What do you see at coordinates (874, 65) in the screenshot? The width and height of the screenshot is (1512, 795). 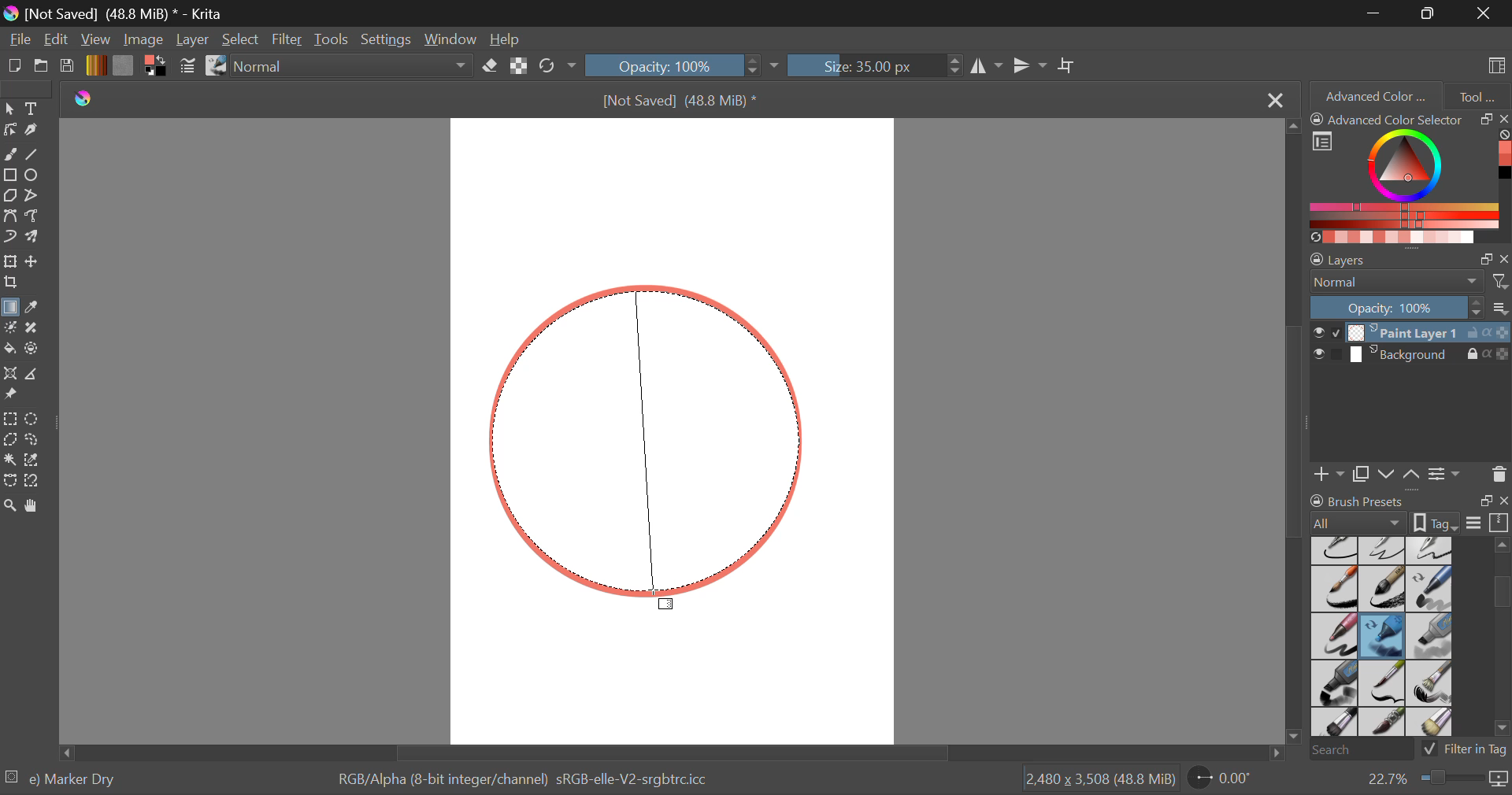 I see `Size : 35px` at bounding box center [874, 65].